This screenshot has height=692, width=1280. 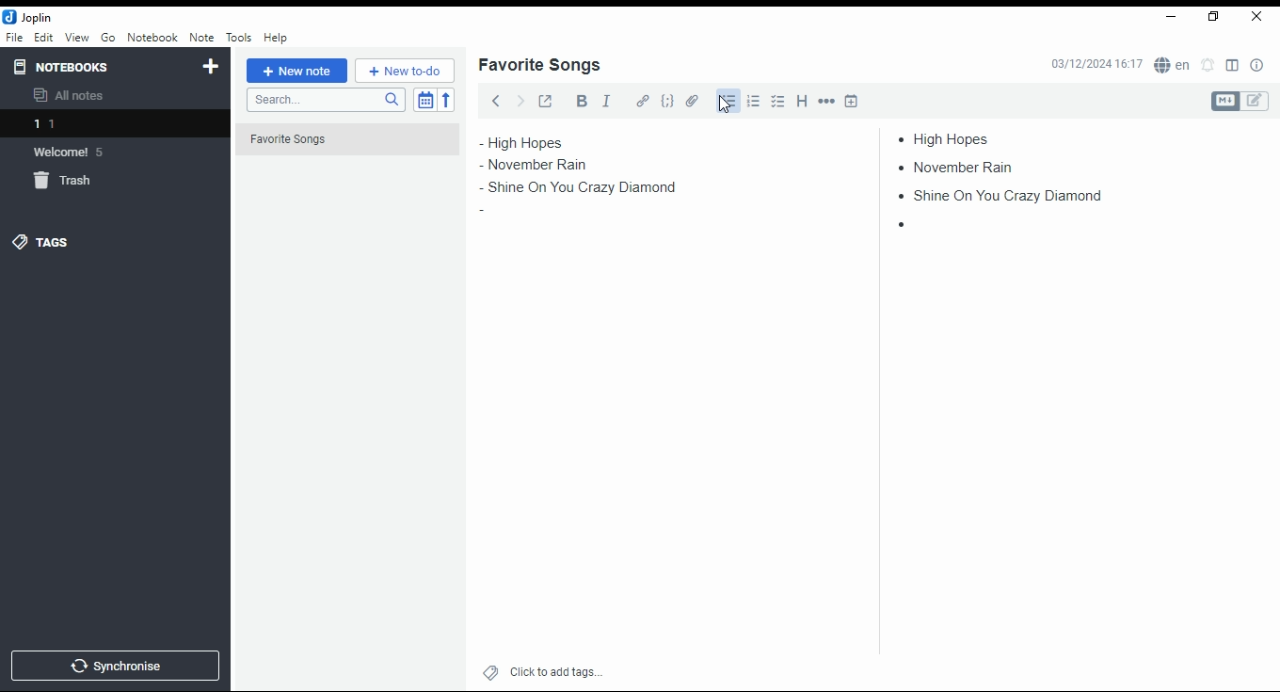 What do you see at coordinates (643, 100) in the screenshot?
I see `hyperlink` at bounding box center [643, 100].